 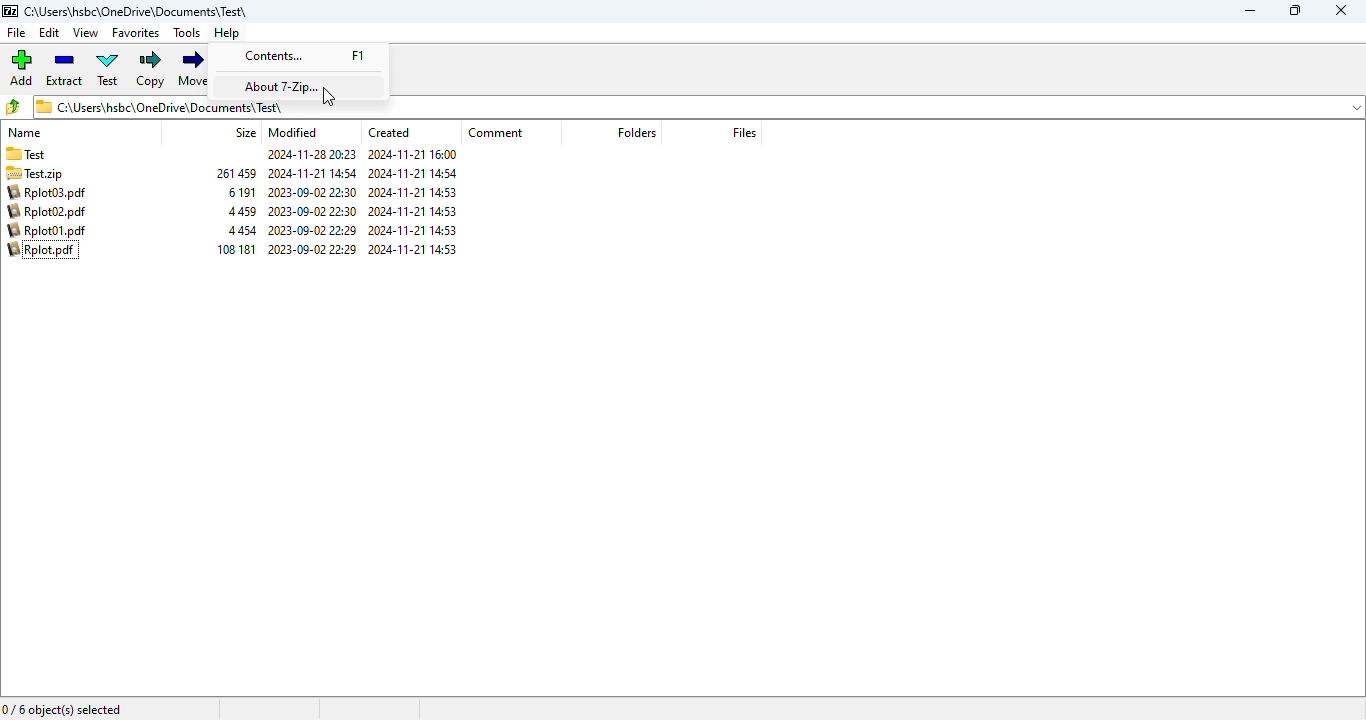 I want to click on modified, so click(x=293, y=133).